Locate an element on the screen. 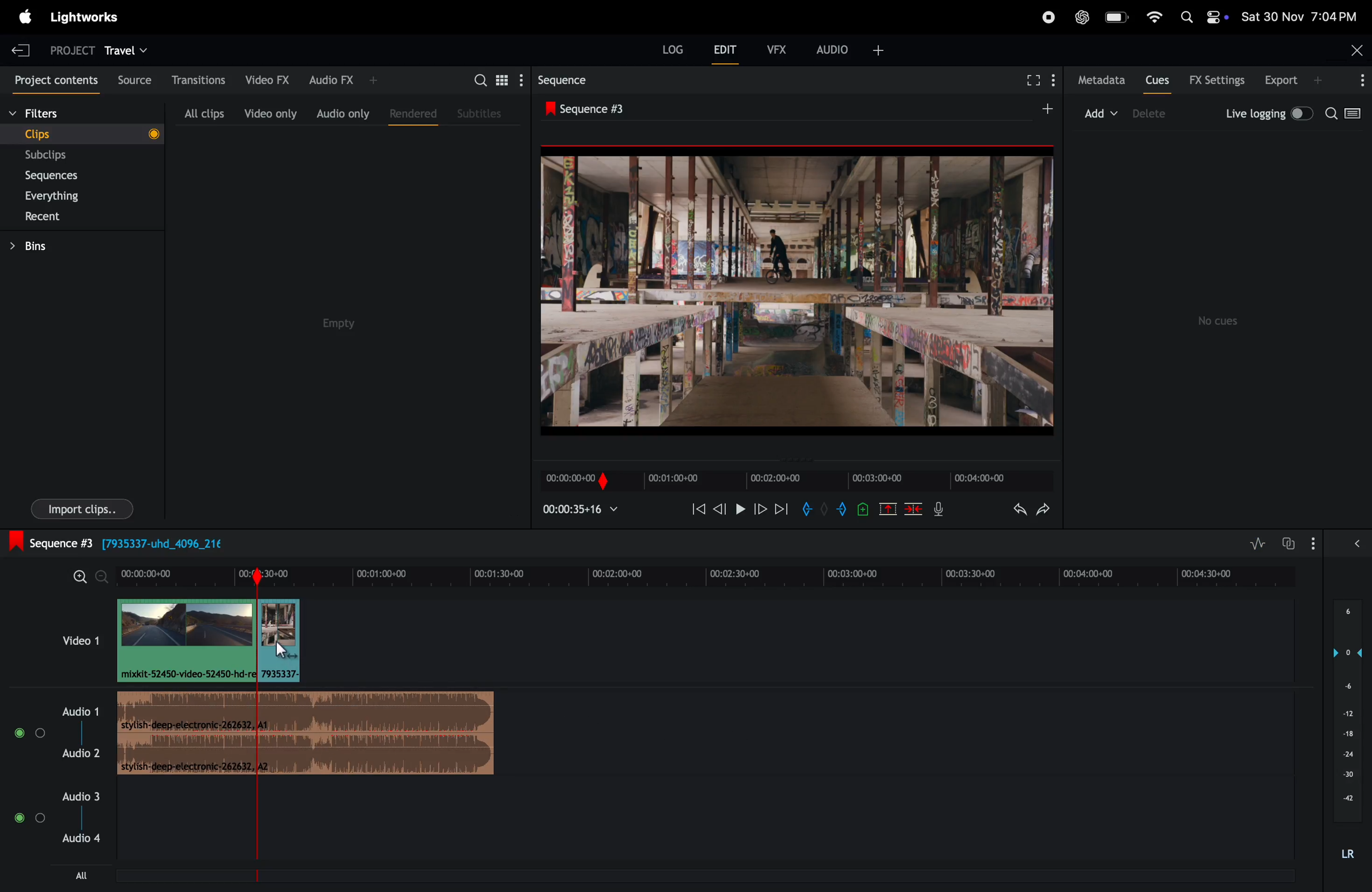 The width and height of the screenshot is (1372, 892). wifi is located at coordinates (1155, 18).